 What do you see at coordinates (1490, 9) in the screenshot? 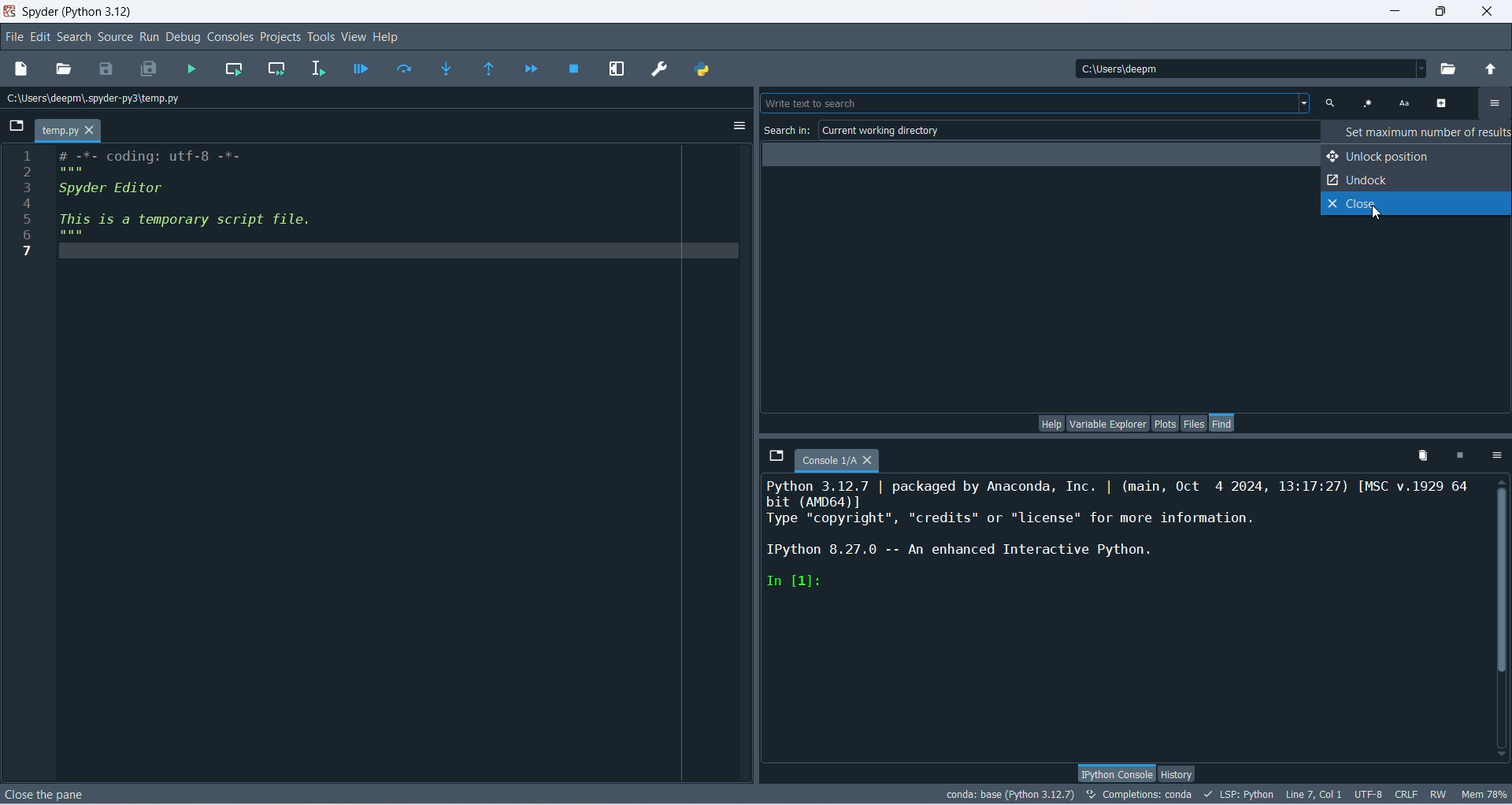
I see `close` at bounding box center [1490, 9].